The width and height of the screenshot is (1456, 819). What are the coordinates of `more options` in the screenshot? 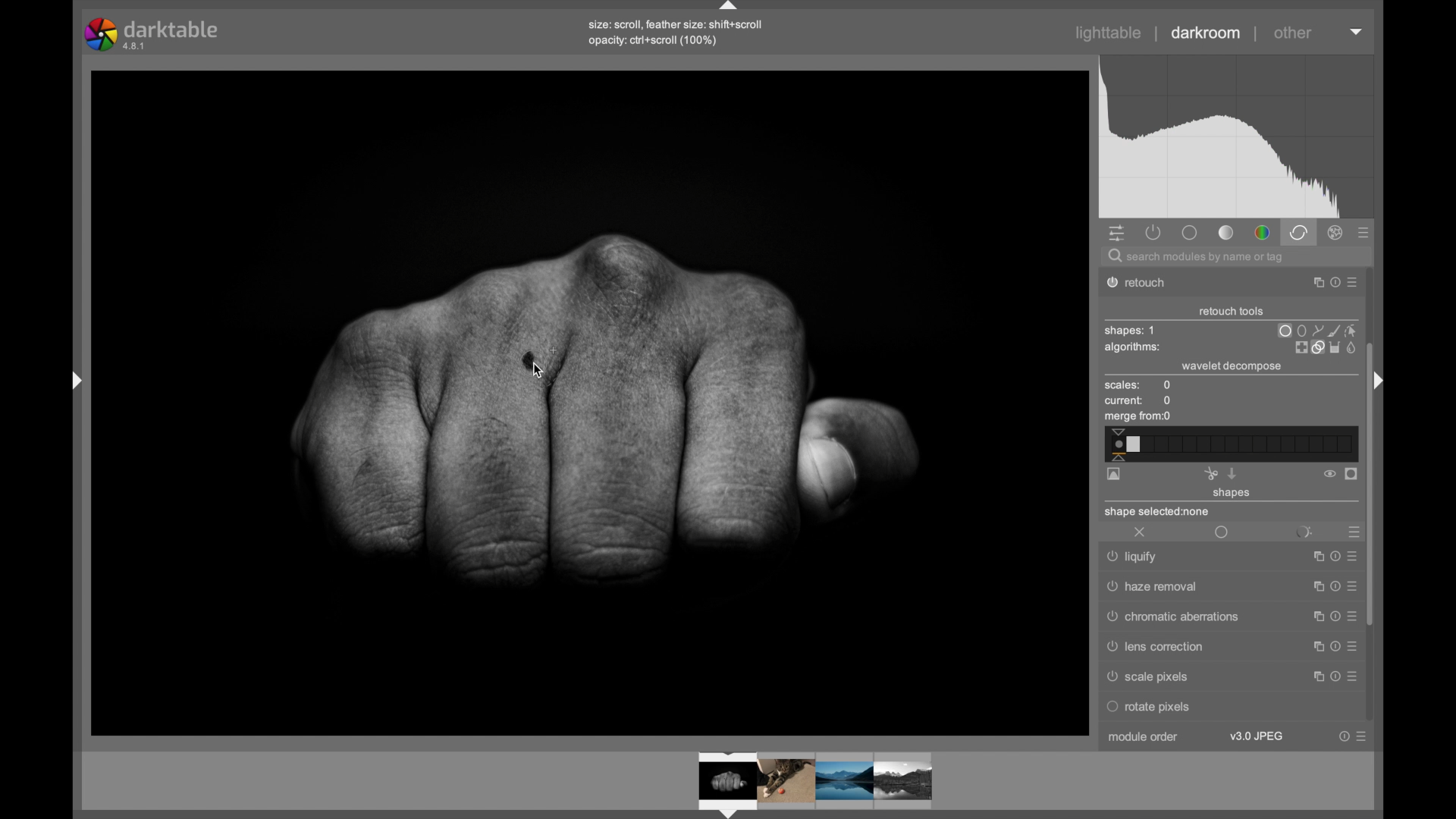 It's located at (1353, 284).